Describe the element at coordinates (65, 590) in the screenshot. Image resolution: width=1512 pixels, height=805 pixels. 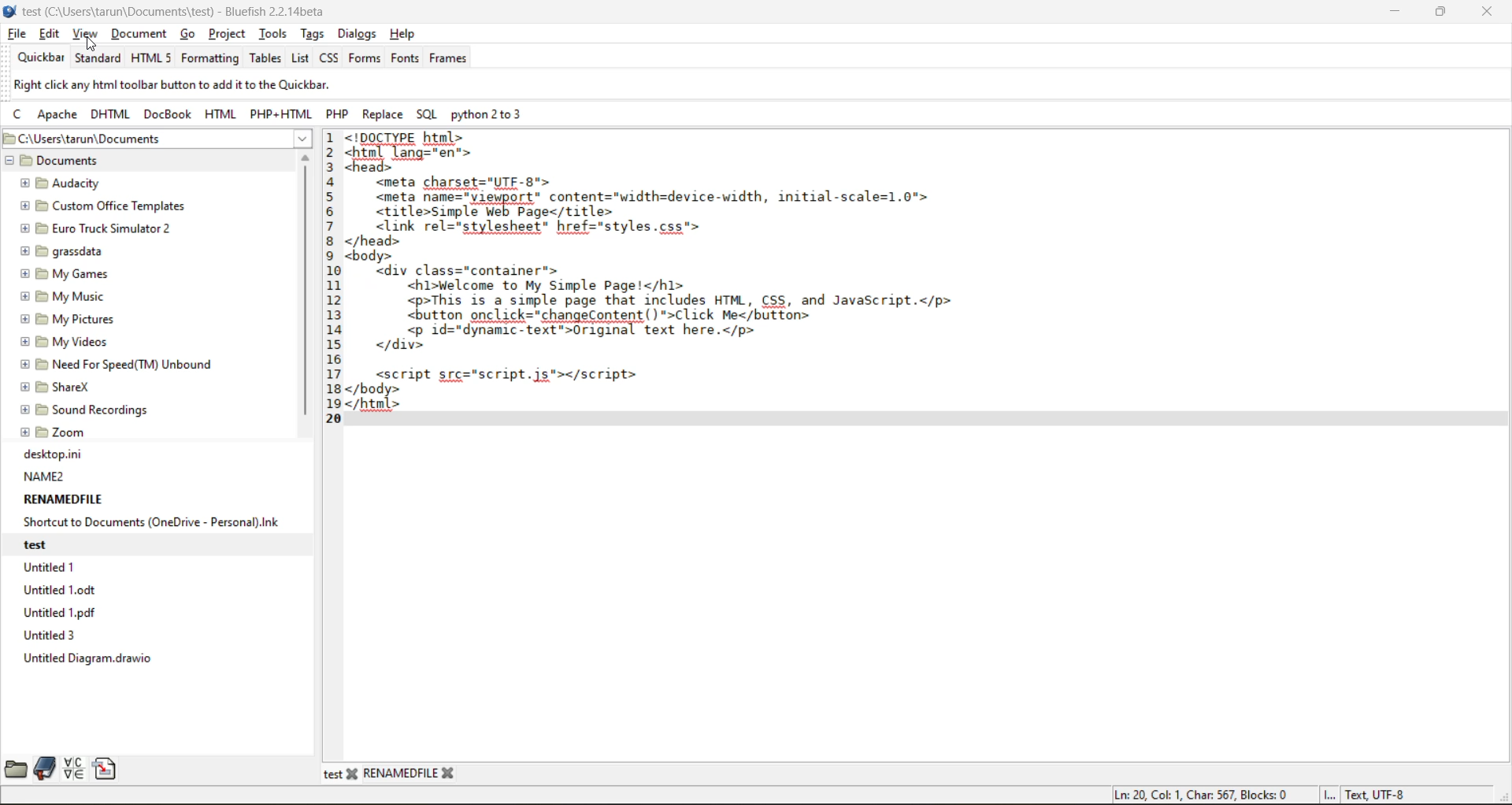
I see `Untitled 1.0dt` at that location.